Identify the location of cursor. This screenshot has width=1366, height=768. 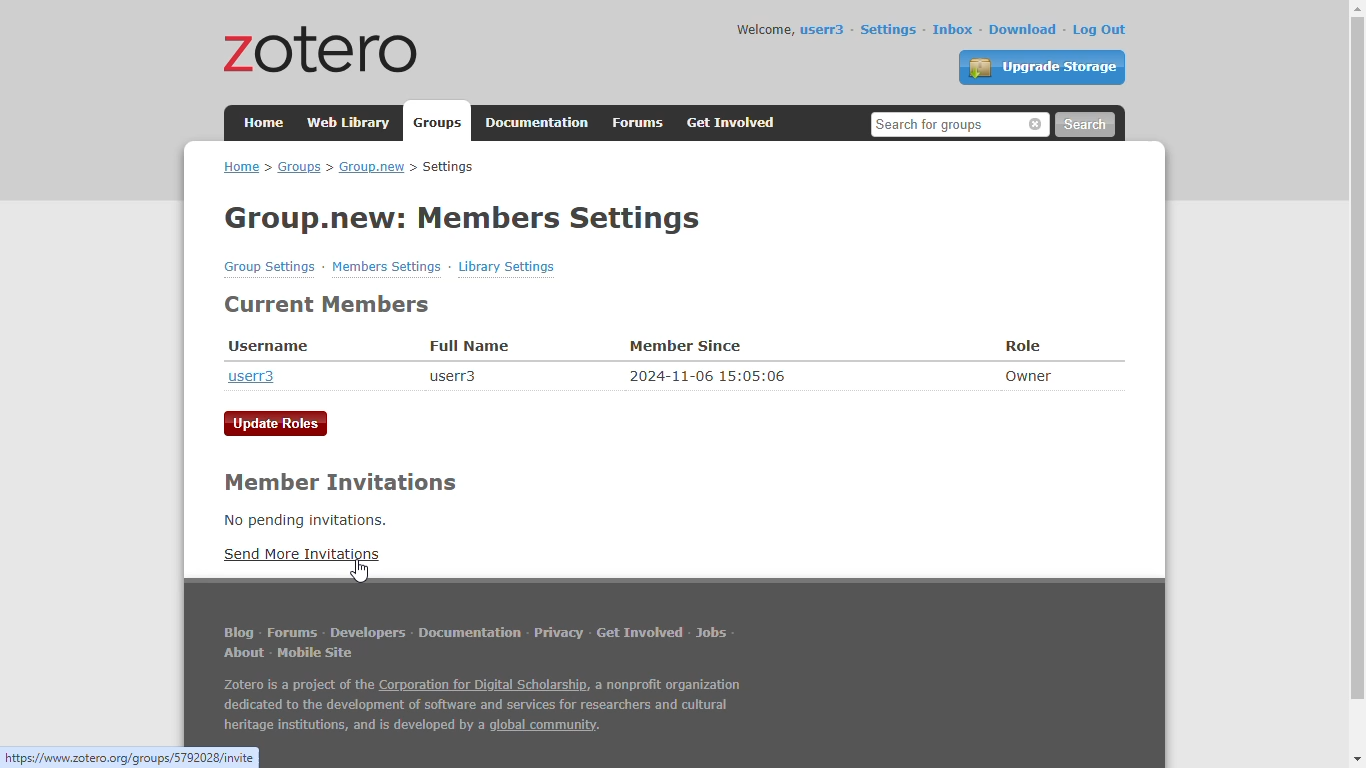
(360, 571).